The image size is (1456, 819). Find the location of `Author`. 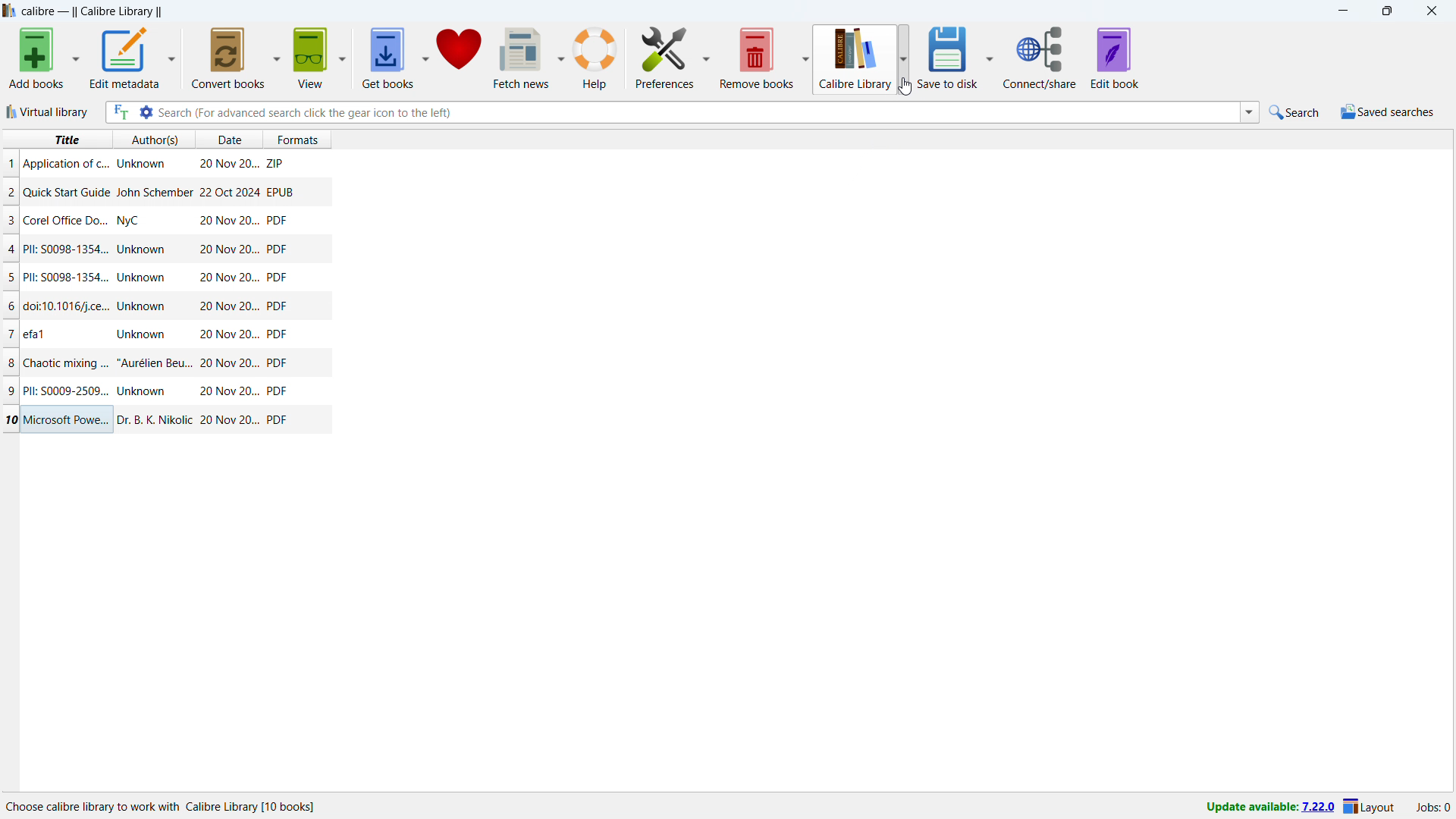

Author is located at coordinates (153, 192).